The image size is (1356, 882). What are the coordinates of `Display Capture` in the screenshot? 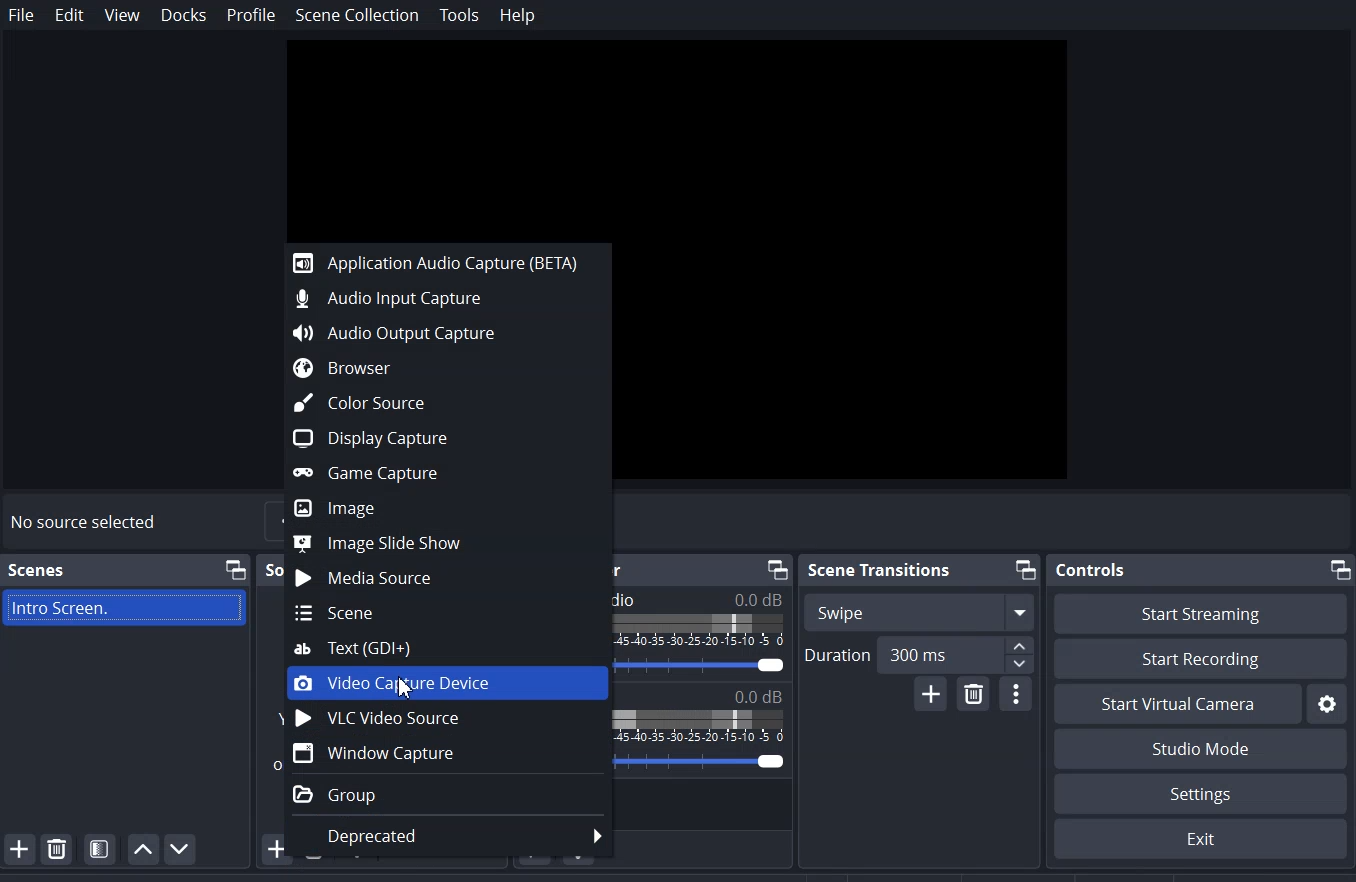 It's located at (438, 439).